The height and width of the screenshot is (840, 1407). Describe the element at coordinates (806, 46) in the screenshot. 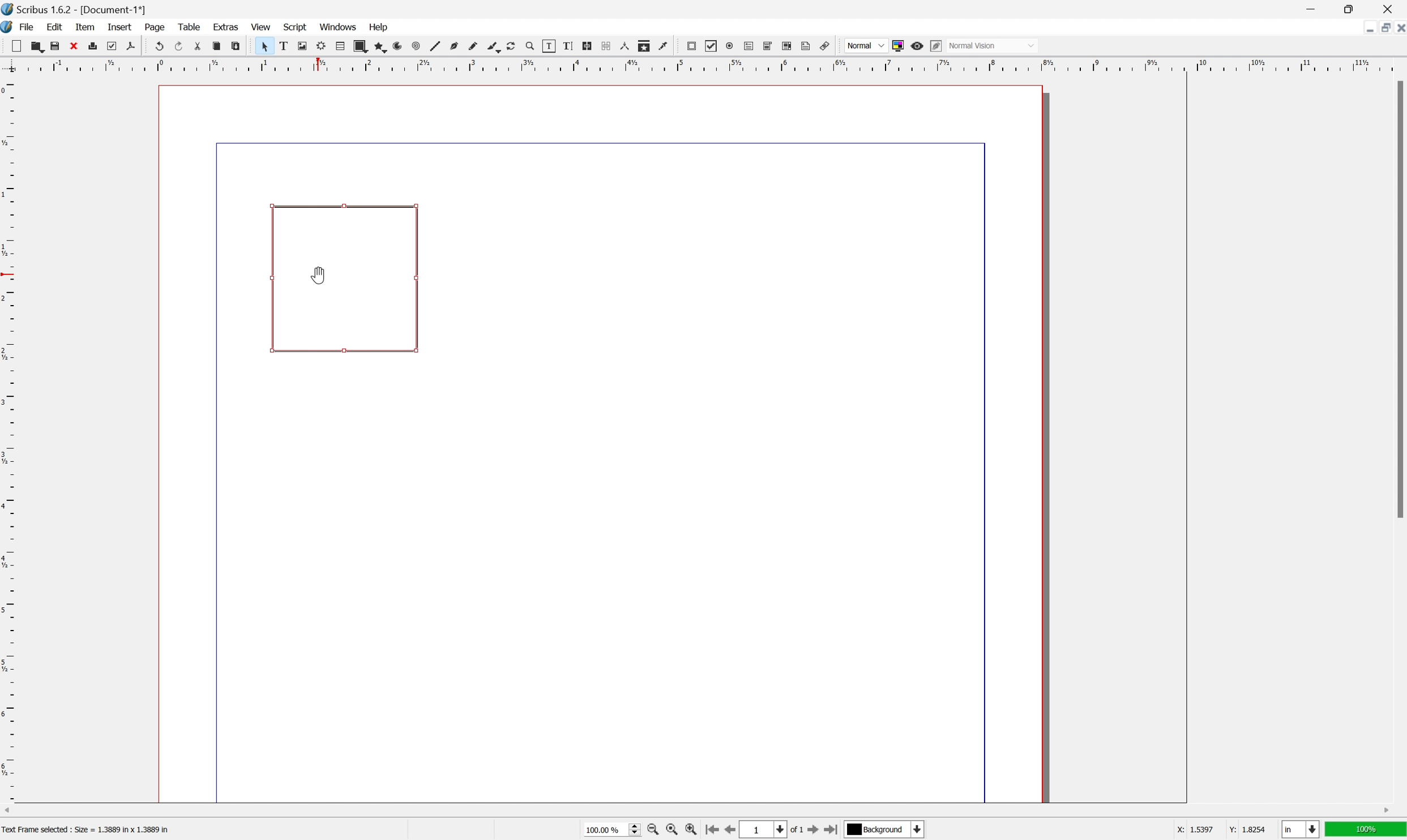

I see `text annotation` at that location.